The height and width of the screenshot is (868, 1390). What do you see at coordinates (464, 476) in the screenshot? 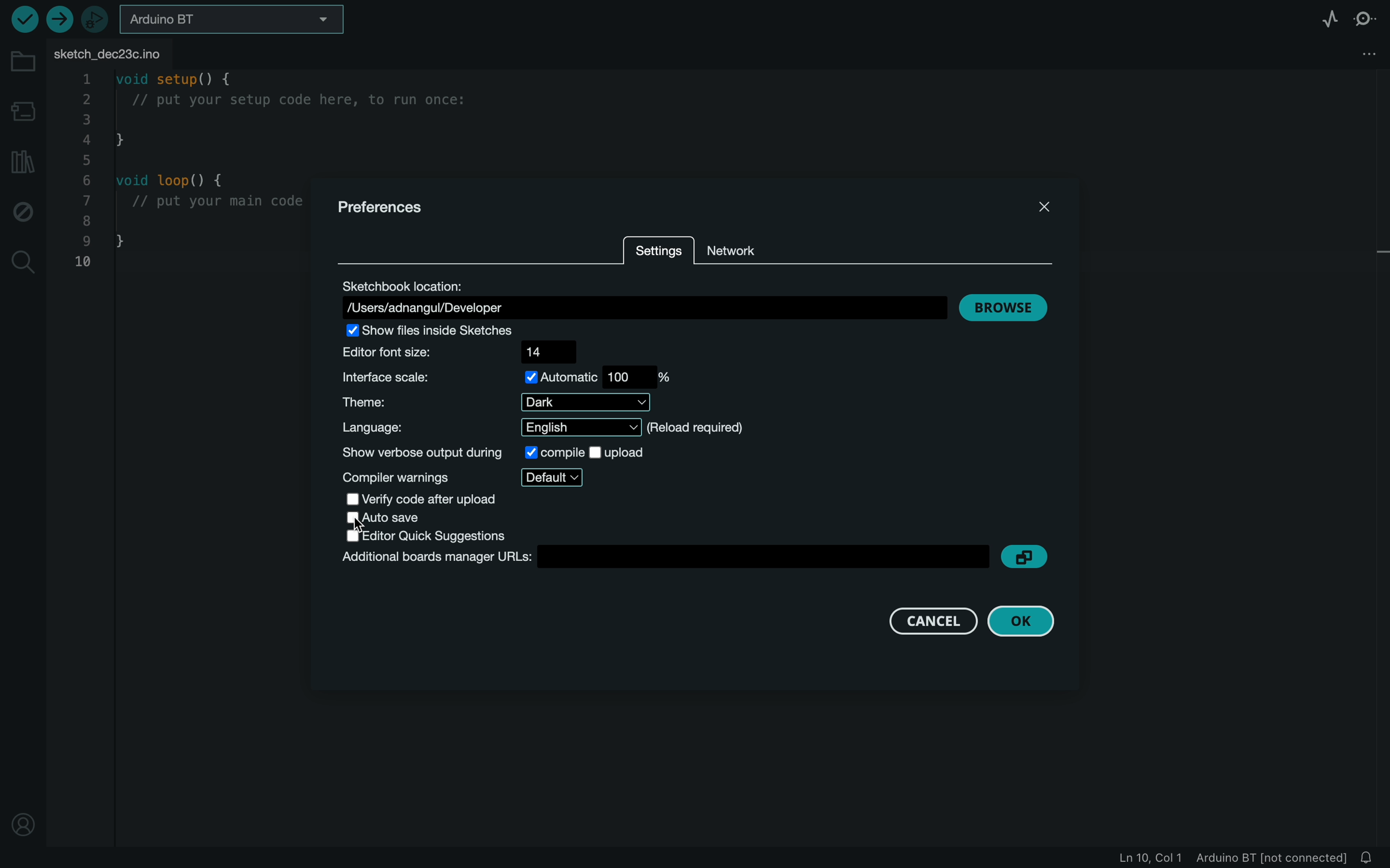
I see `warnings` at bounding box center [464, 476].